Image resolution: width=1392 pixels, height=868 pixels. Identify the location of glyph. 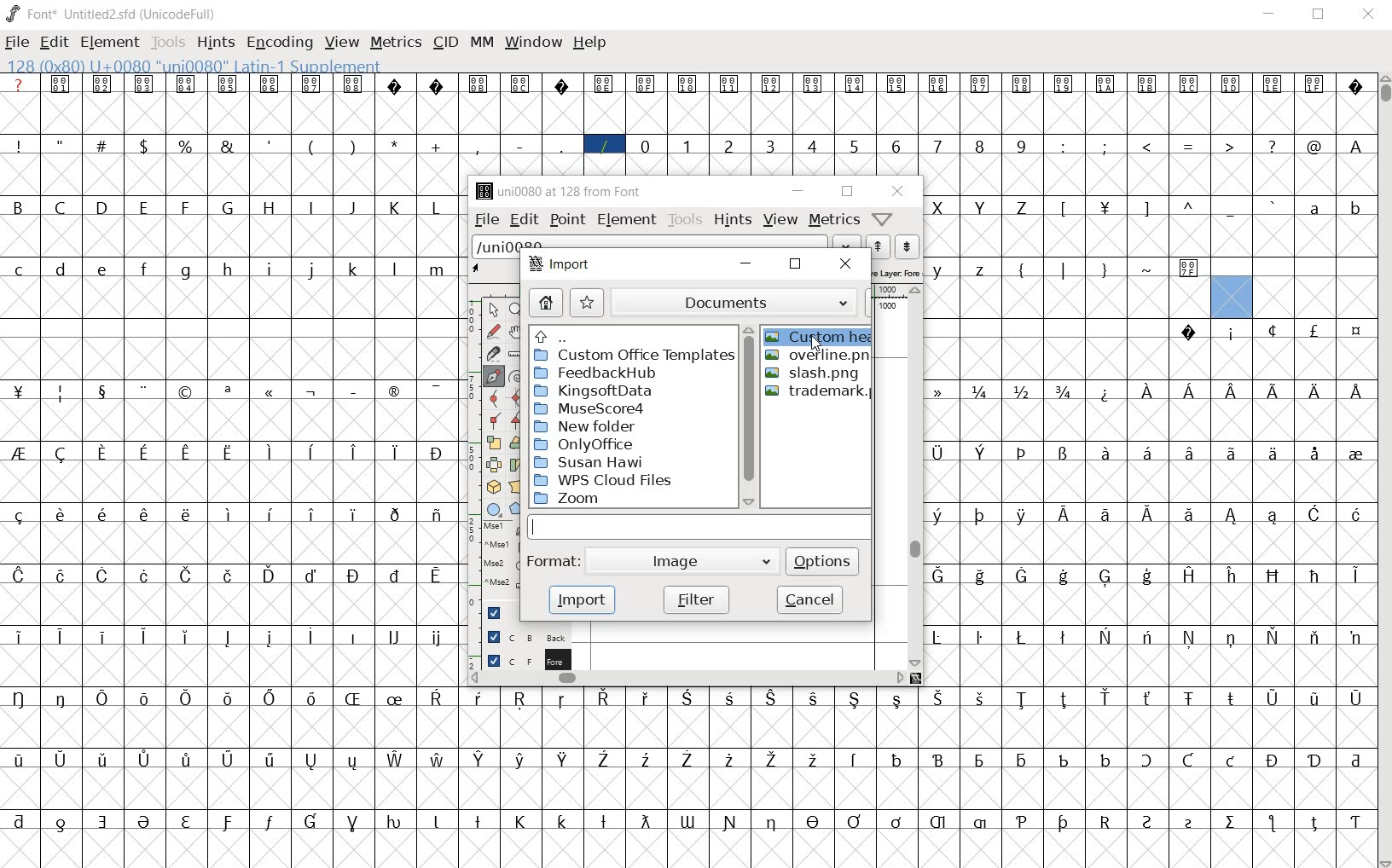
(143, 637).